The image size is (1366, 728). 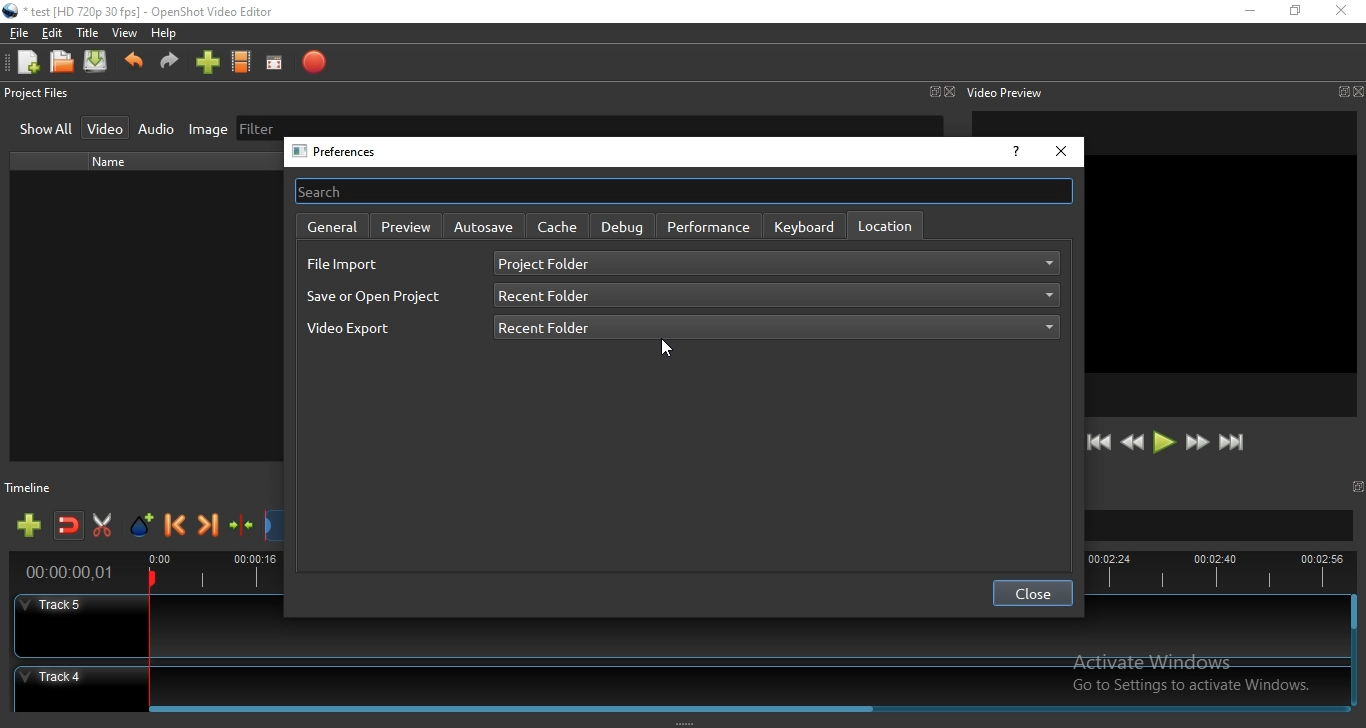 I want to click on video export, so click(x=360, y=334).